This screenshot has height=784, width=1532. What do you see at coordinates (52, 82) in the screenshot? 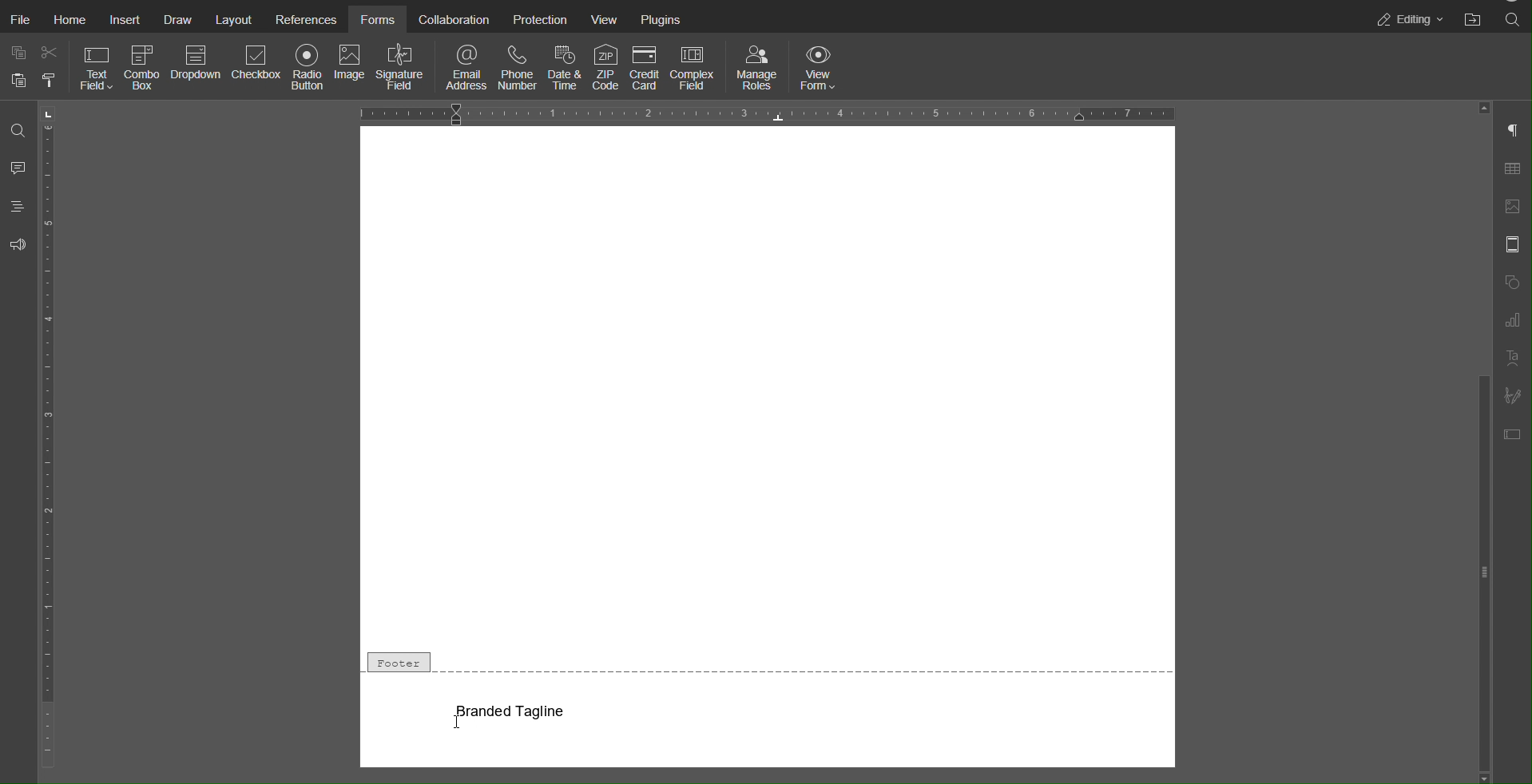
I see `copy style` at bounding box center [52, 82].